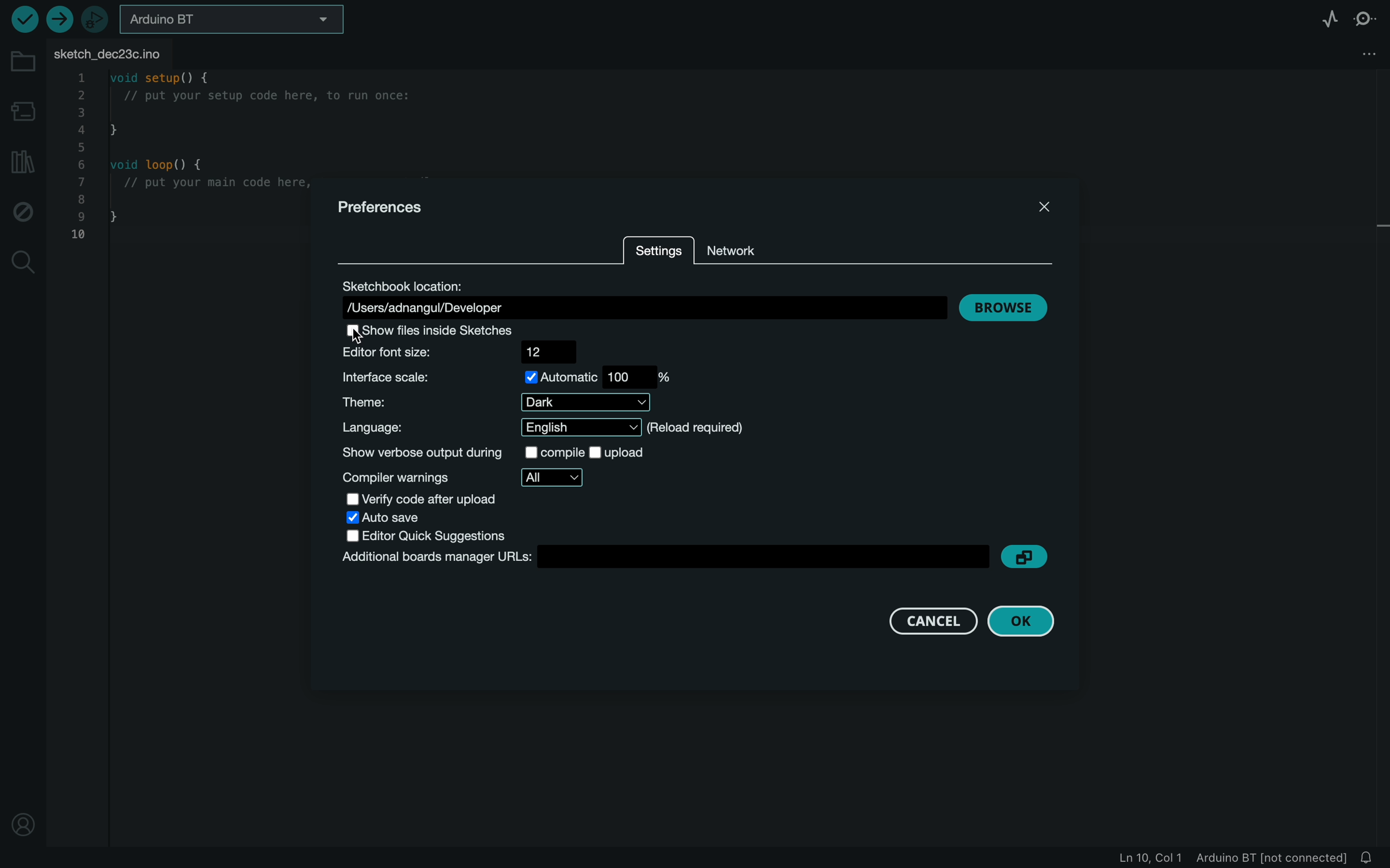  I want to click on location, so click(643, 297).